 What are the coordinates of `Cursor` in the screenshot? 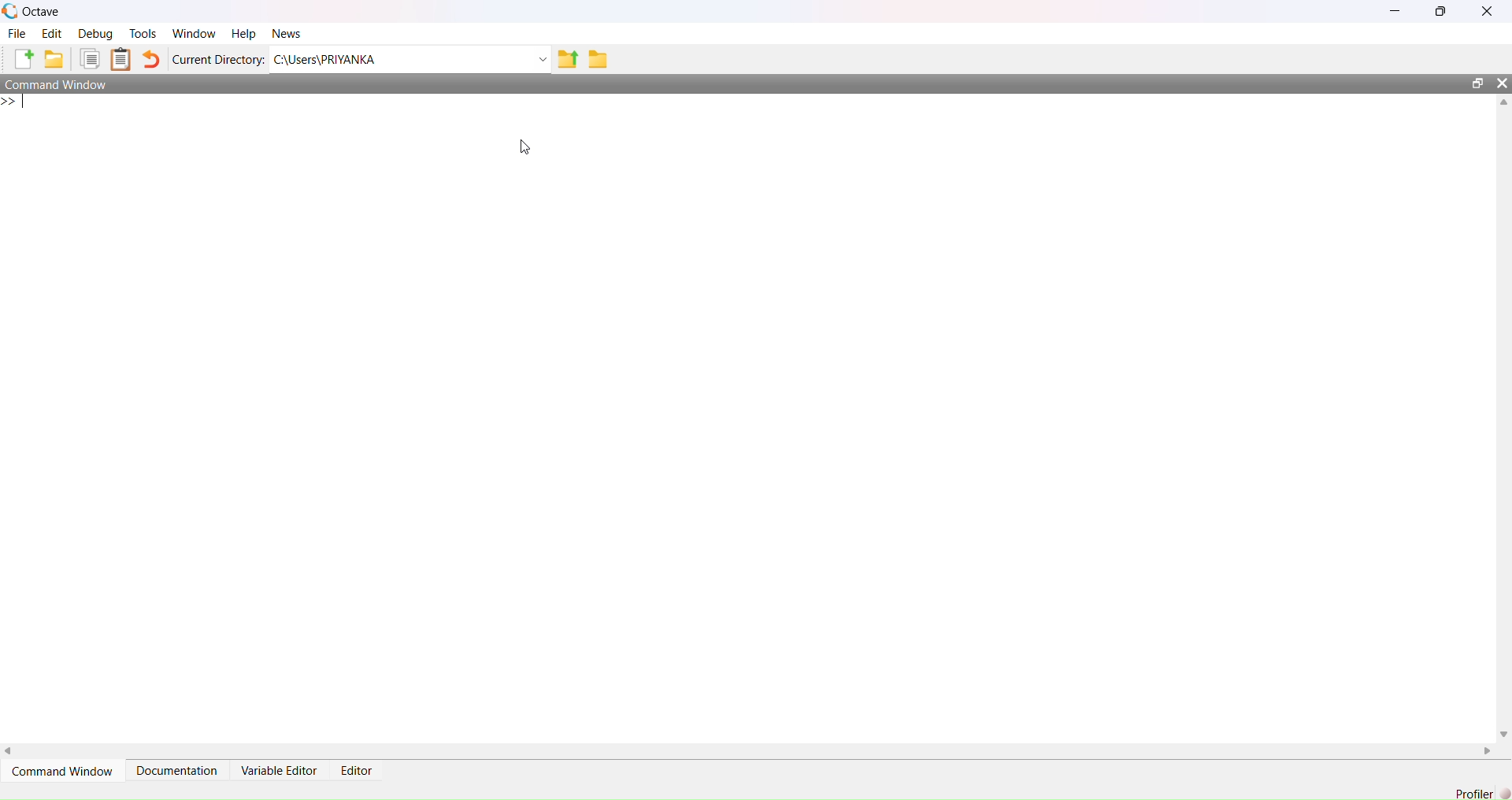 It's located at (526, 146).